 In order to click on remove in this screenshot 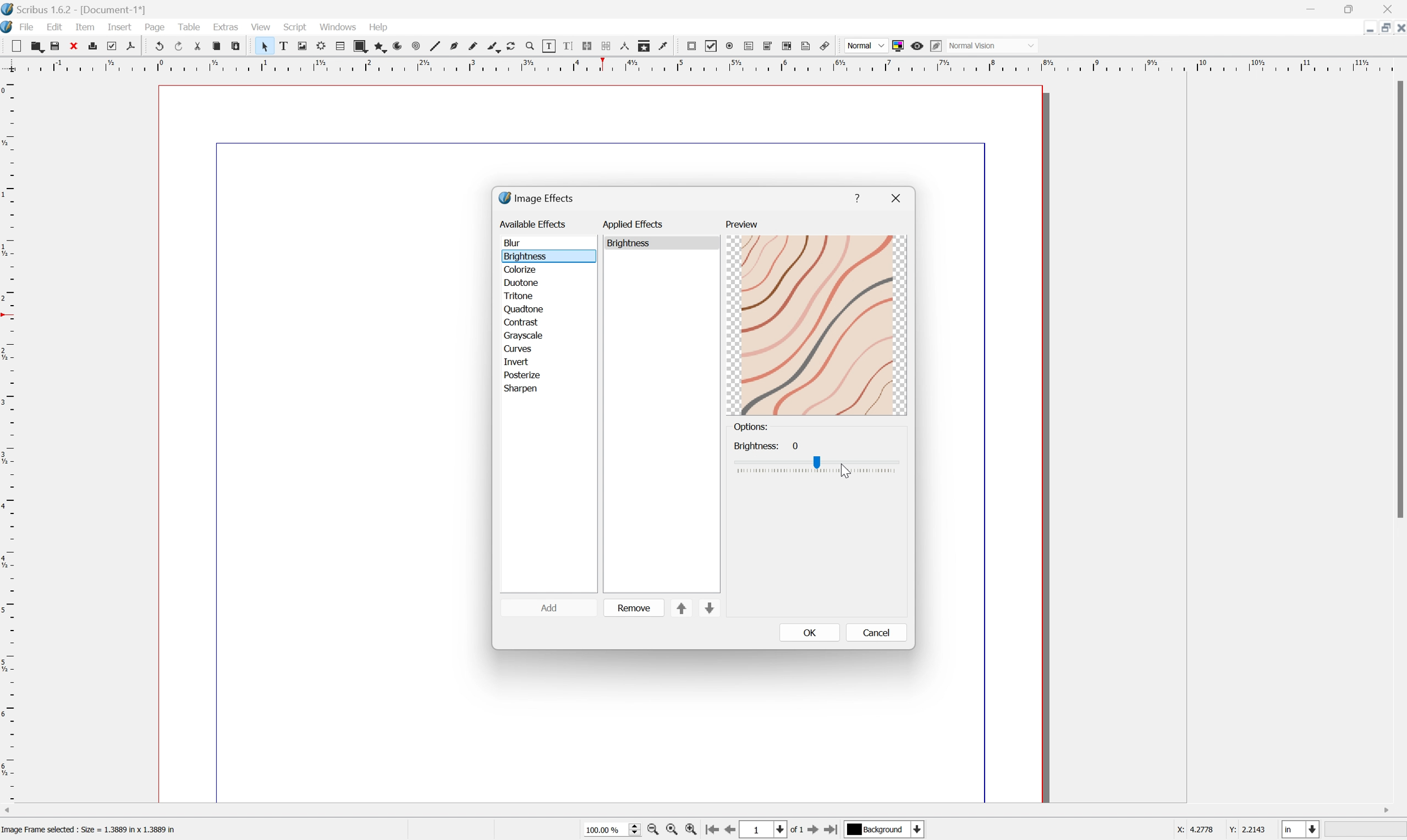, I will do `click(635, 607)`.